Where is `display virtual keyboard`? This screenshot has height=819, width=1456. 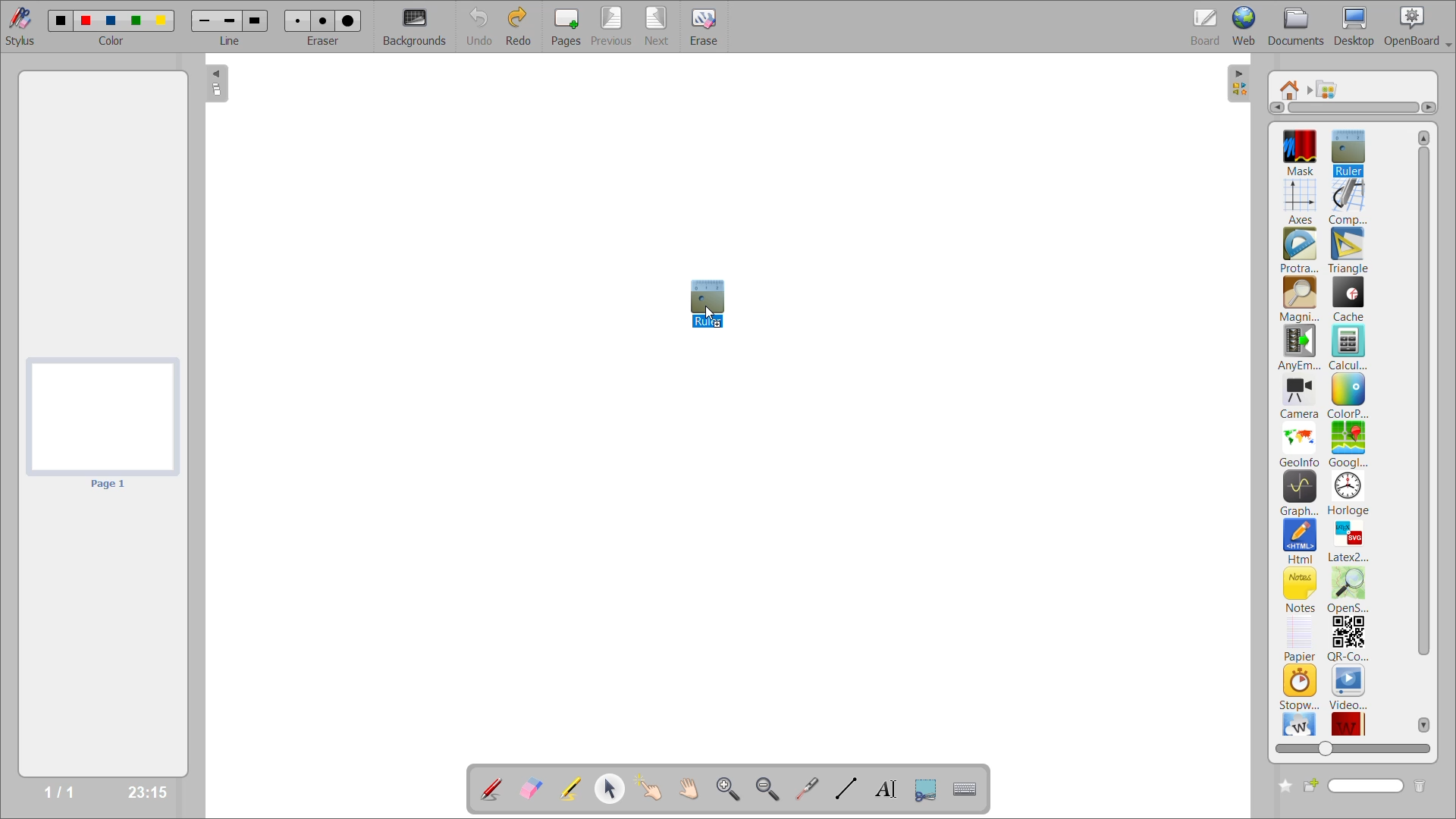 display virtual keyboard is located at coordinates (968, 789).